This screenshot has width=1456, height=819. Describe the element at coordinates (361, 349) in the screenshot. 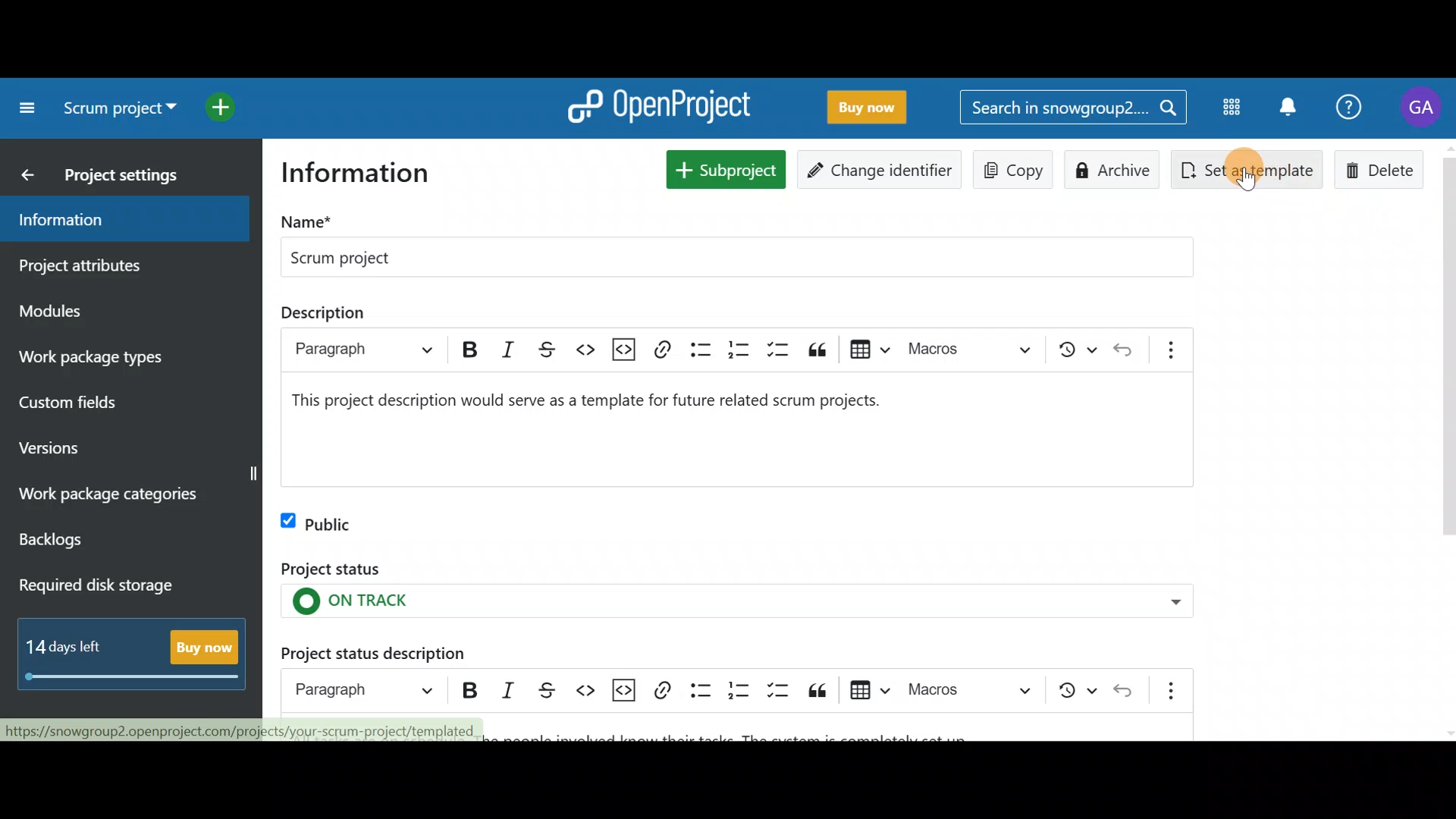

I see `paragraph` at that location.